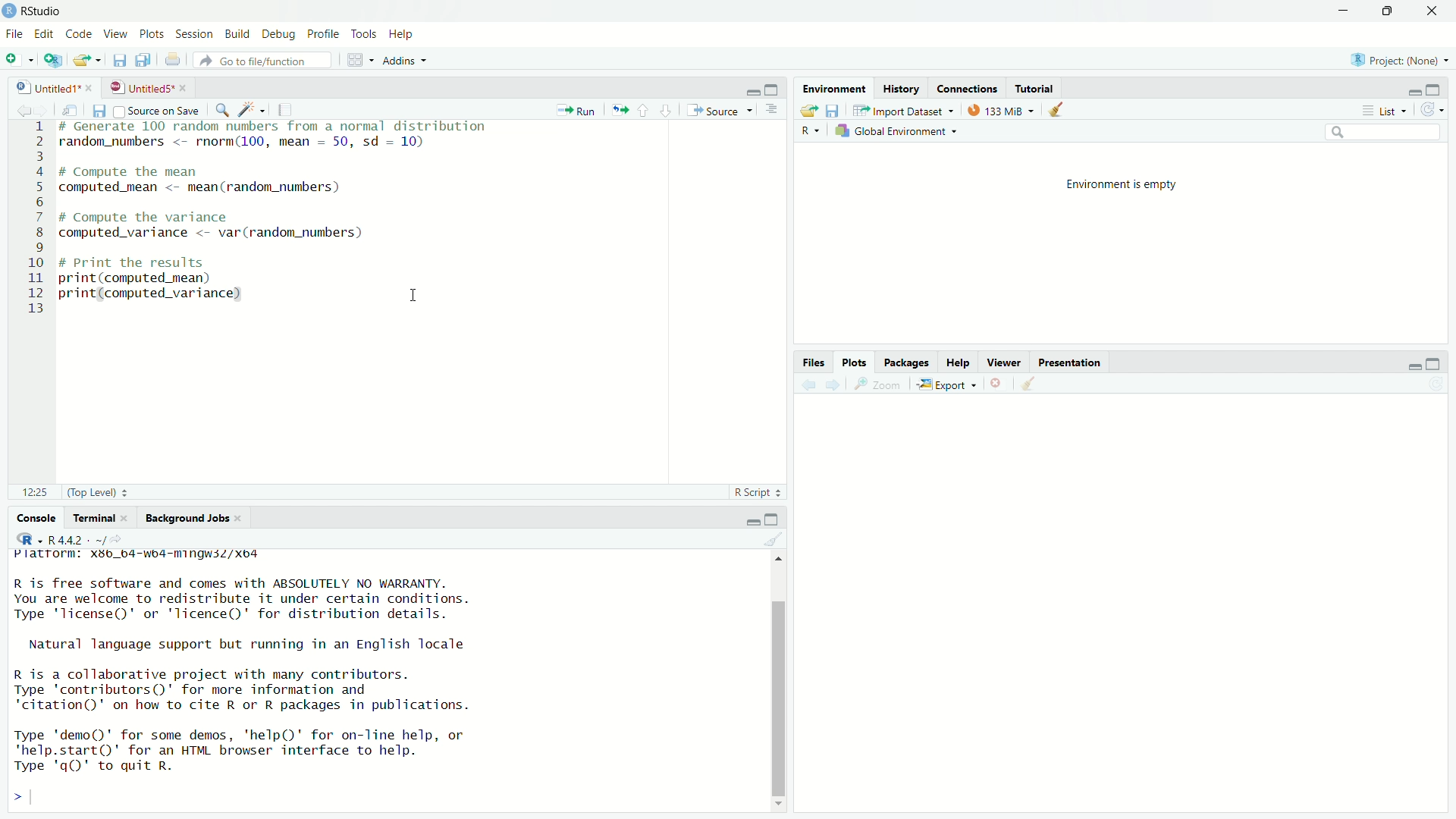 This screenshot has height=819, width=1456. I want to click on help, so click(959, 360).